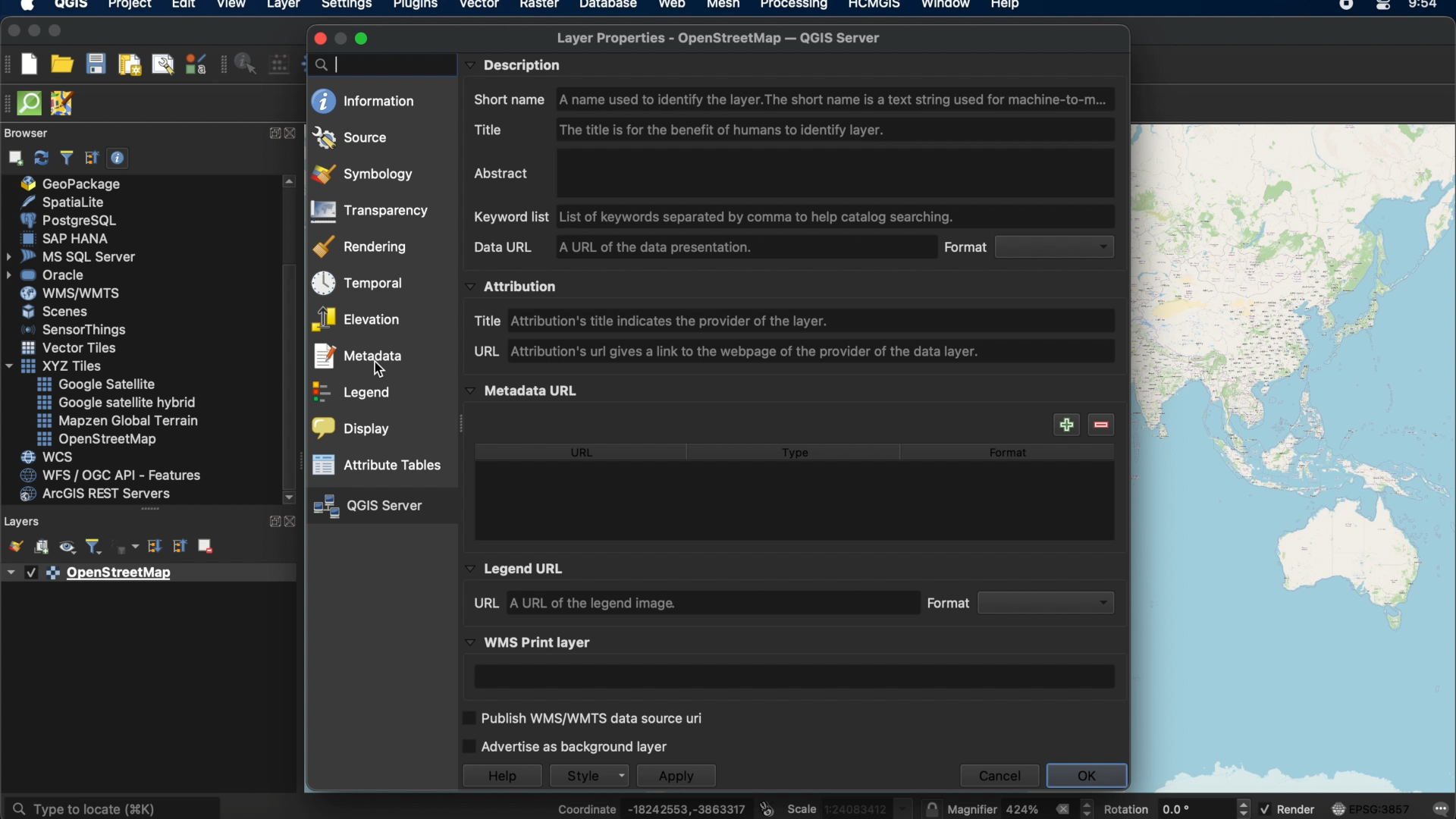  Describe the element at coordinates (367, 507) in the screenshot. I see `Qgis server` at that location.